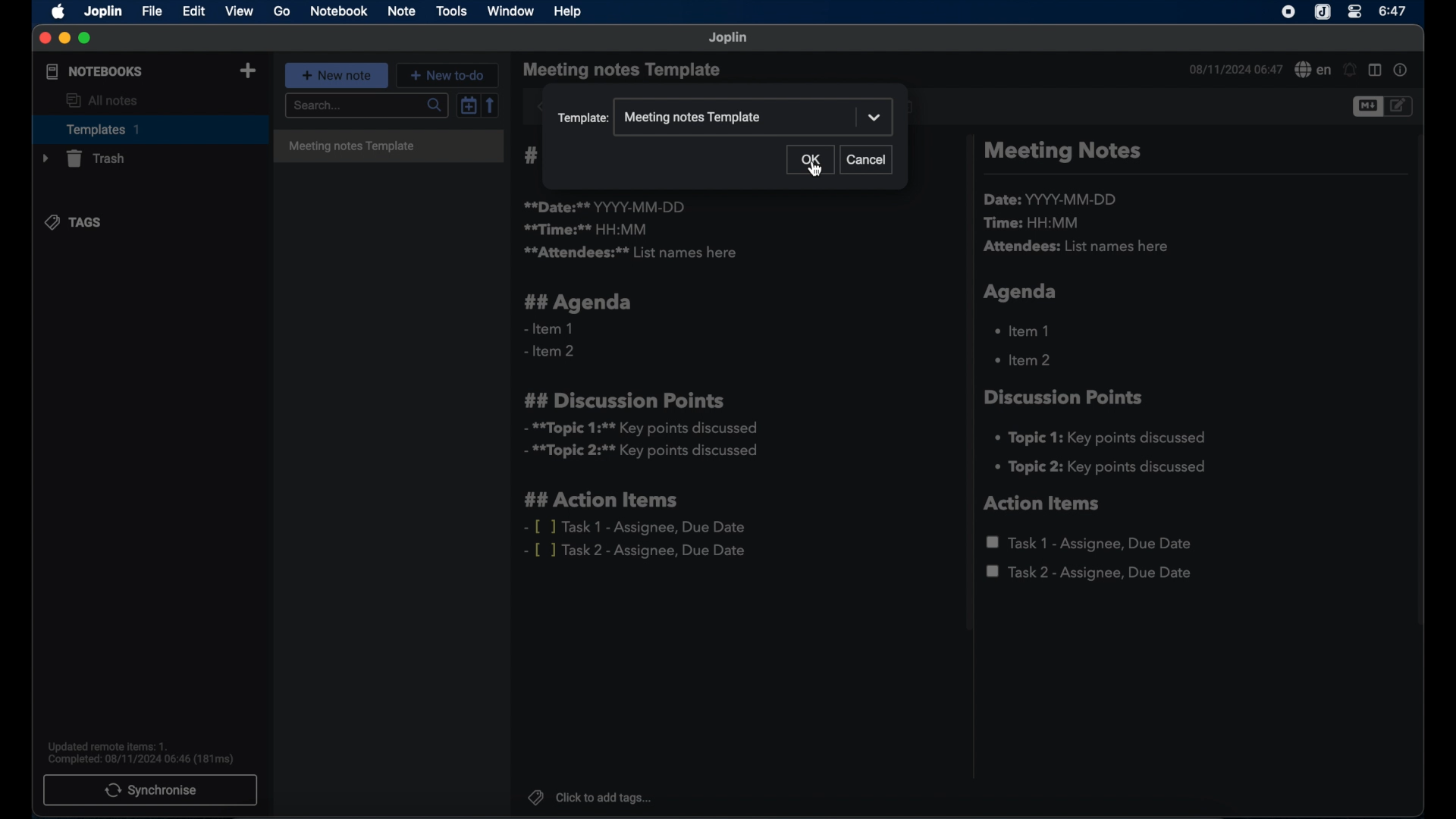 The width and height of the screenshot is (1456, 819). What do you see at coordinates (466, 107) in the screenshot?
I see `toggle sort order  field` at bounding box center [466, 107].